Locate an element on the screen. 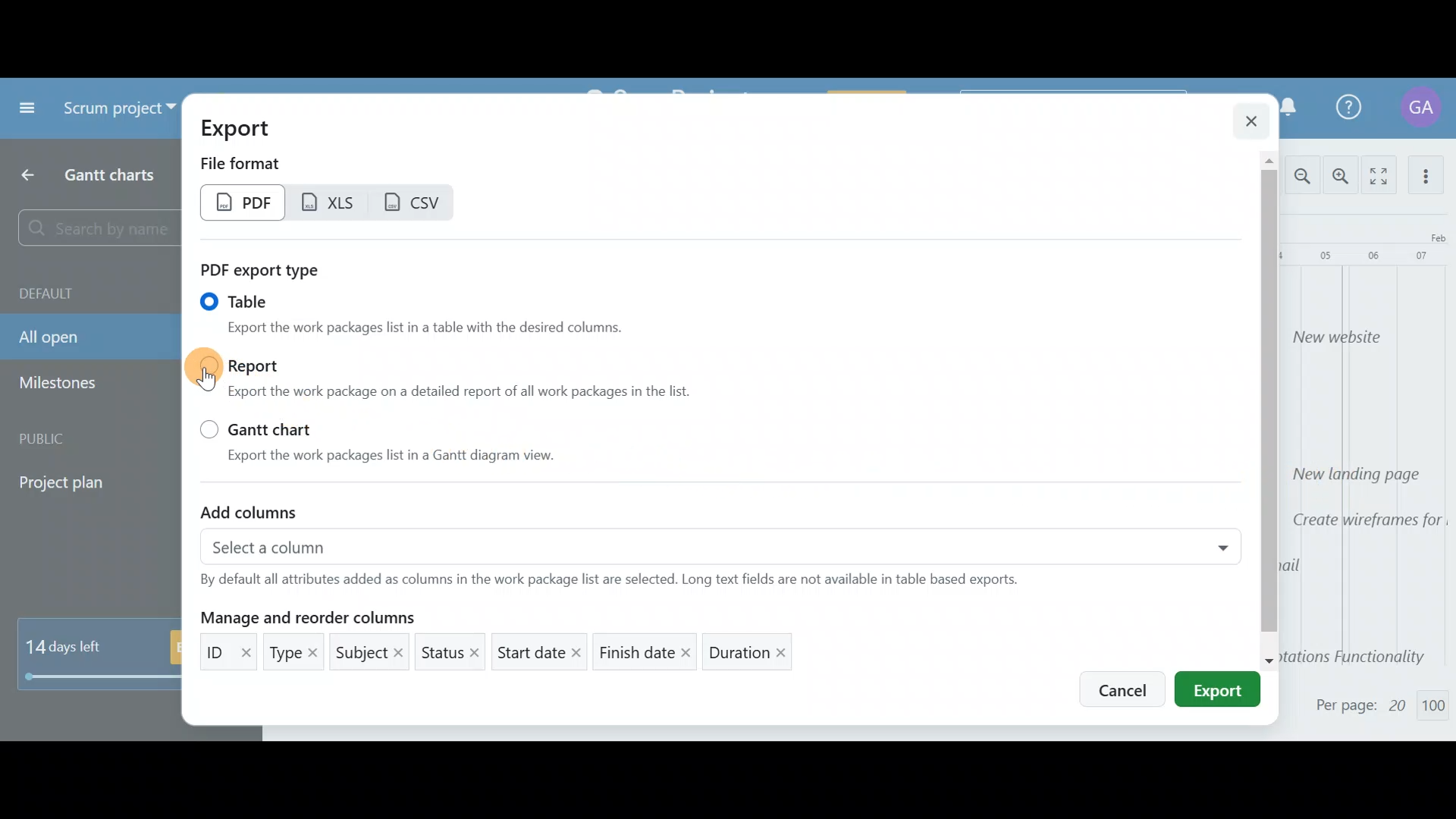 The width and height of the screenshot is (1456, 819). File format is located at coordinates (252, 165).